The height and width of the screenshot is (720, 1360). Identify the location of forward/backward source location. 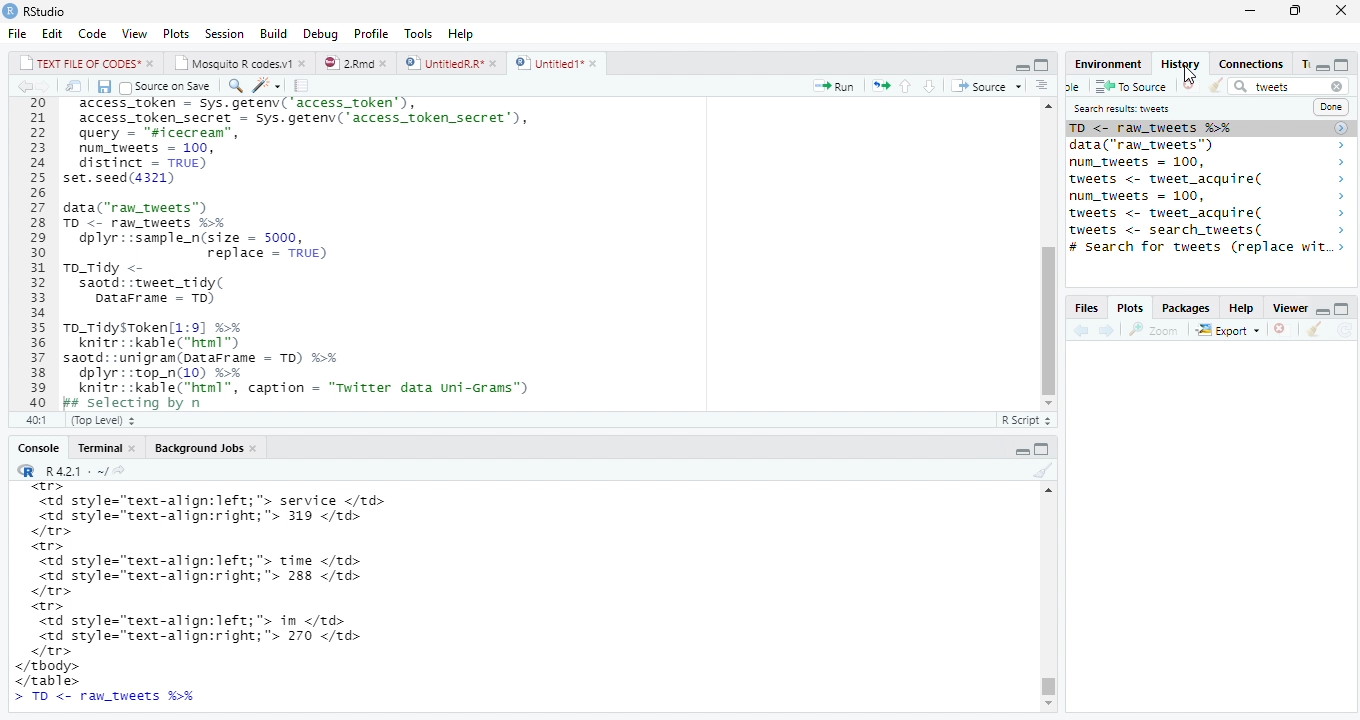
(1093, 329).